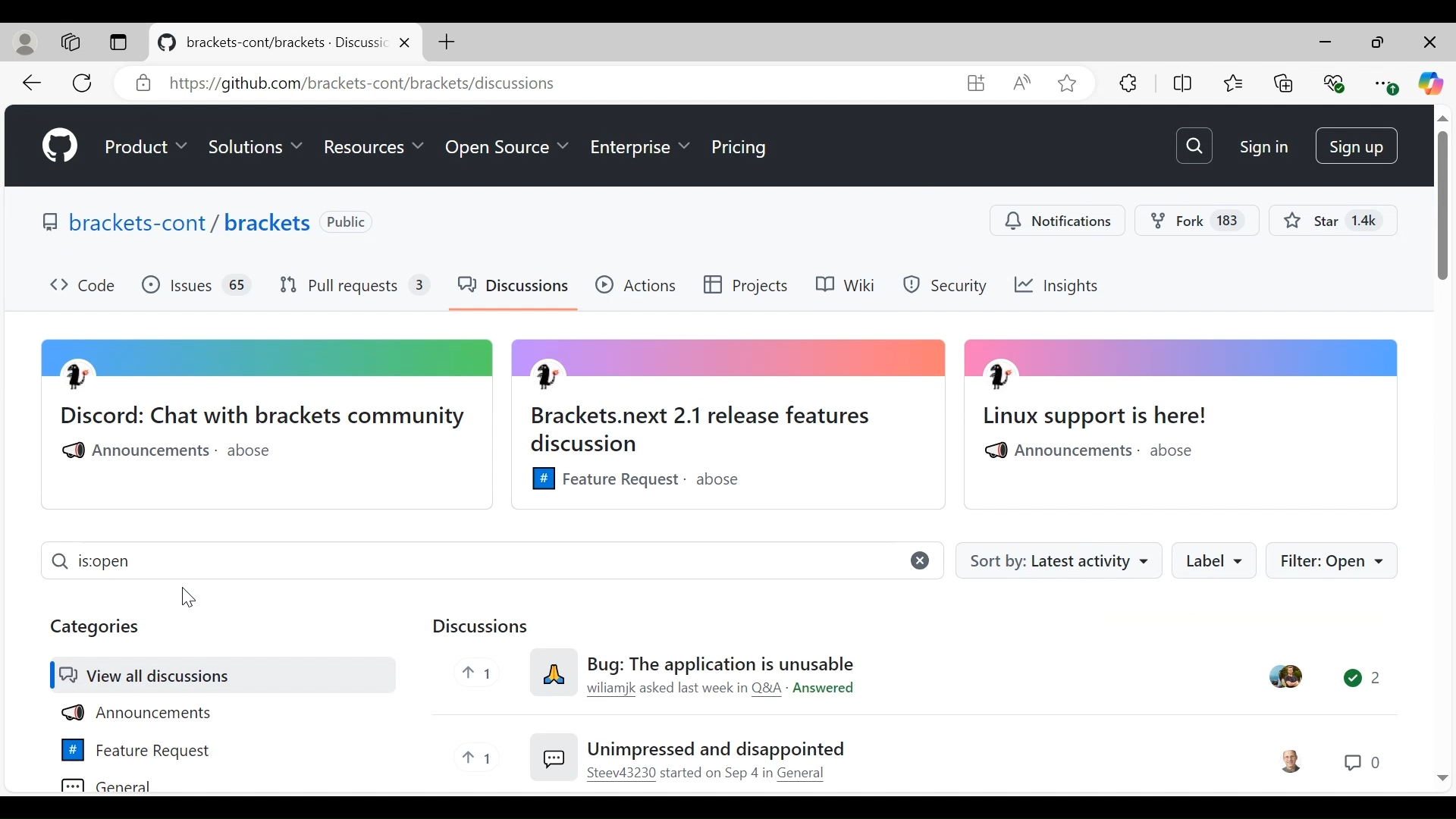 The image size is (1456, 819). What do you see at coordinates (354, 287) in the screenshot?
I see `Pull Requests` at bounding box center [354, 287].